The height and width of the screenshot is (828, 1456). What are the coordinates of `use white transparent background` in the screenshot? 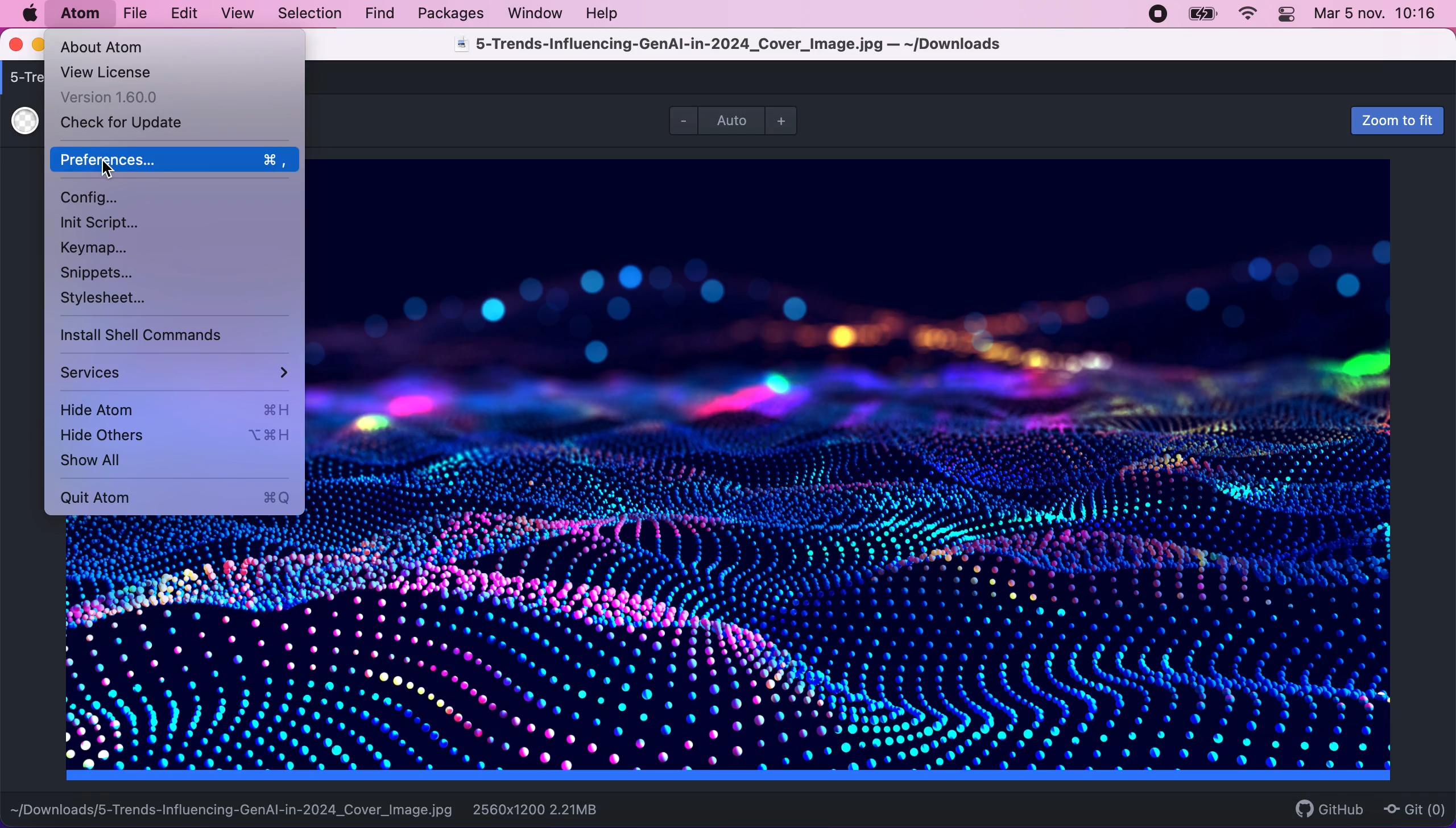 It's located at (24, 122).